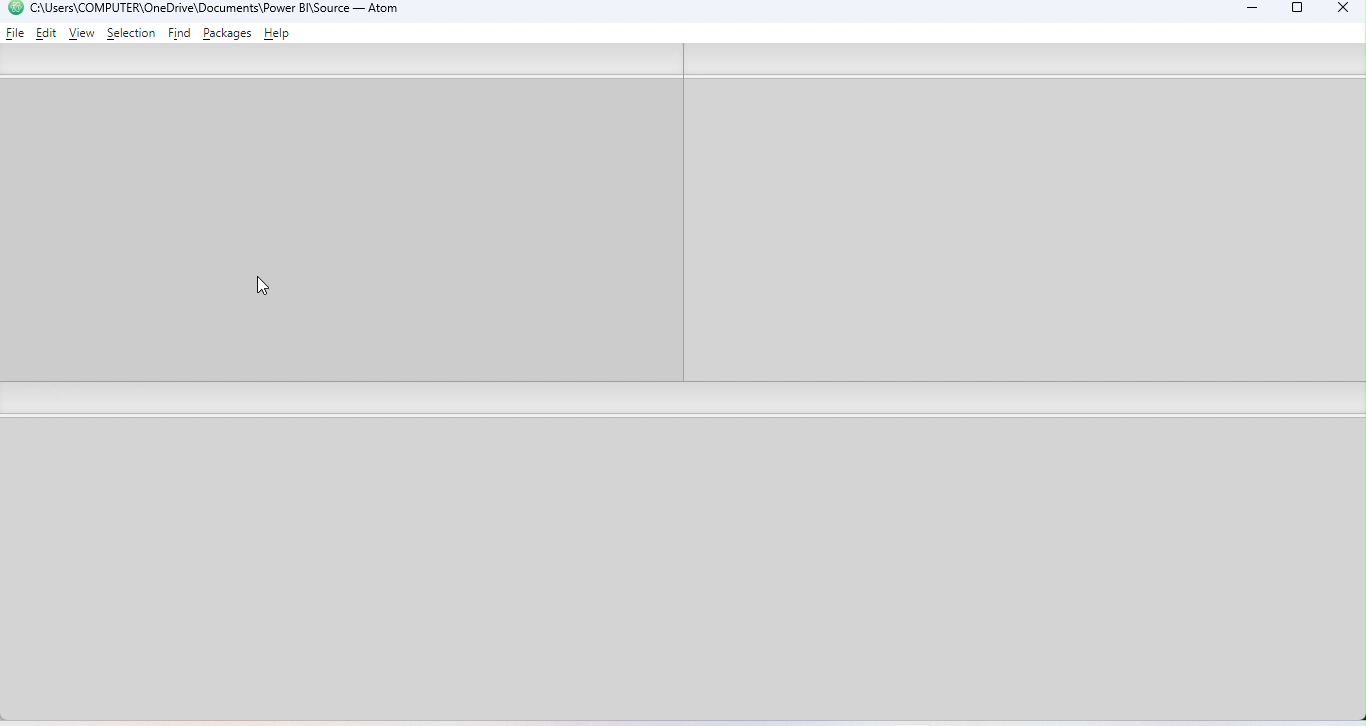 This screenshot has width=1366, height=726. What do you see at coordinates (1338, 10) in the screenshot?
I see `Close` at bounding box center [1338, 10].